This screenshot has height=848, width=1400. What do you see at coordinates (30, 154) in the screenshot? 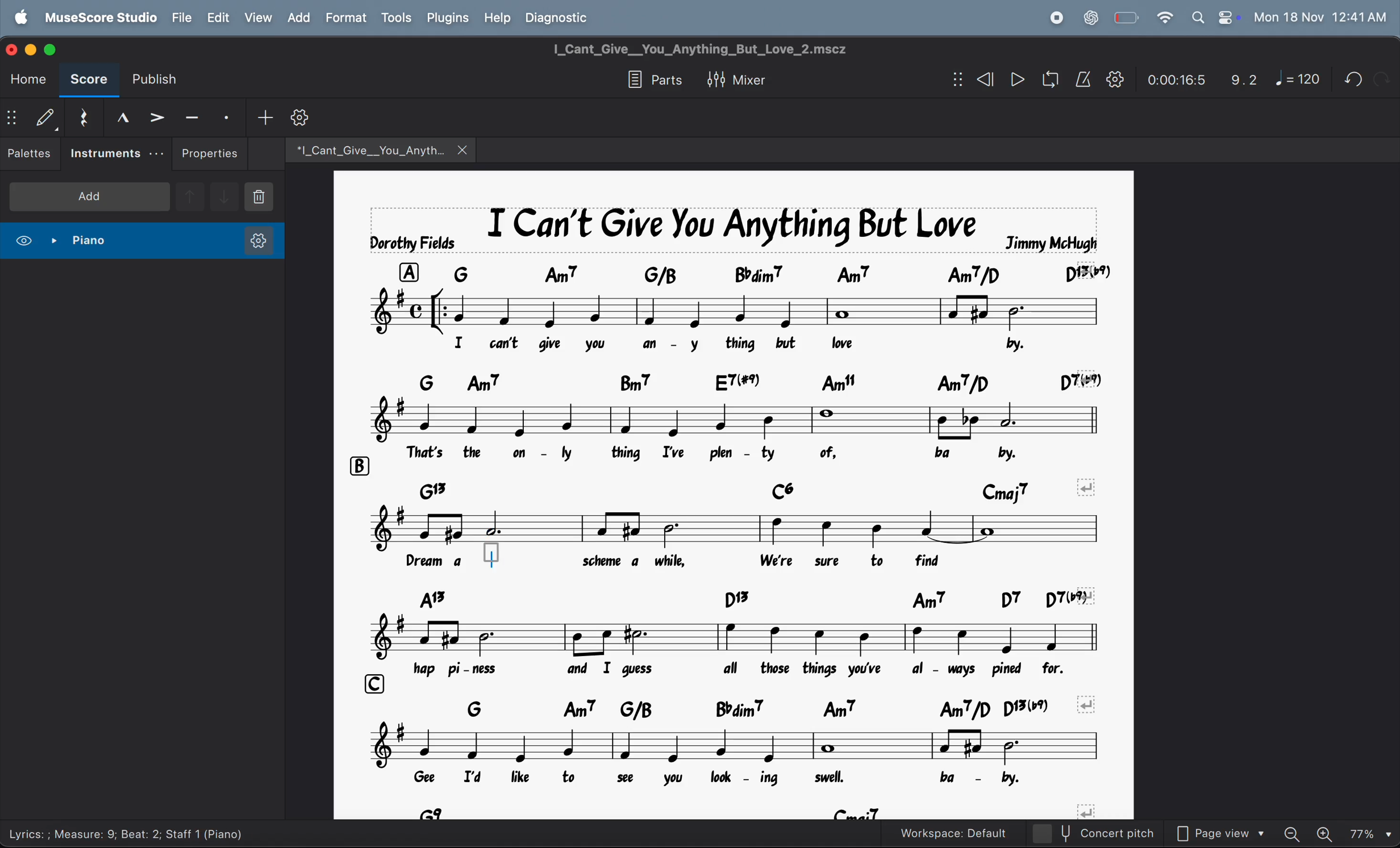
I see `pallettes` at bounding box center [30, 154].